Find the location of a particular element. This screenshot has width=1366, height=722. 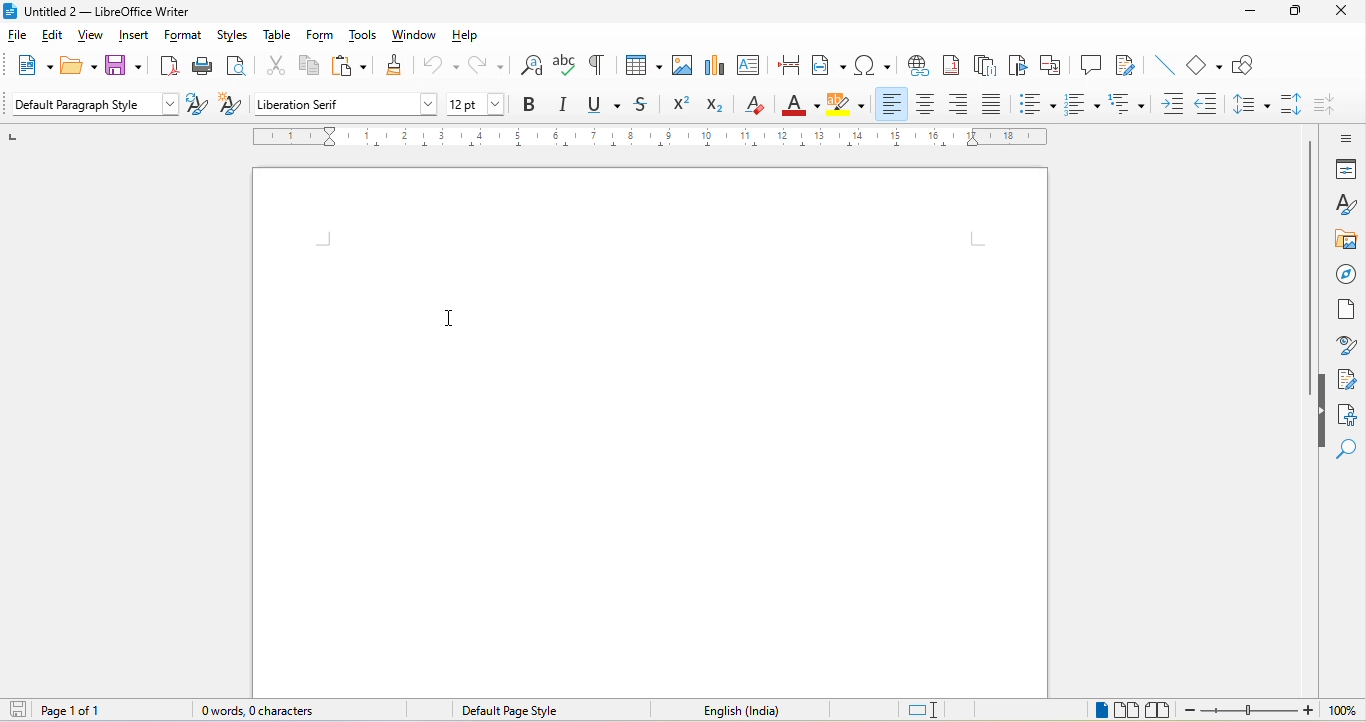

ruler is located at coordinates (660, 138).